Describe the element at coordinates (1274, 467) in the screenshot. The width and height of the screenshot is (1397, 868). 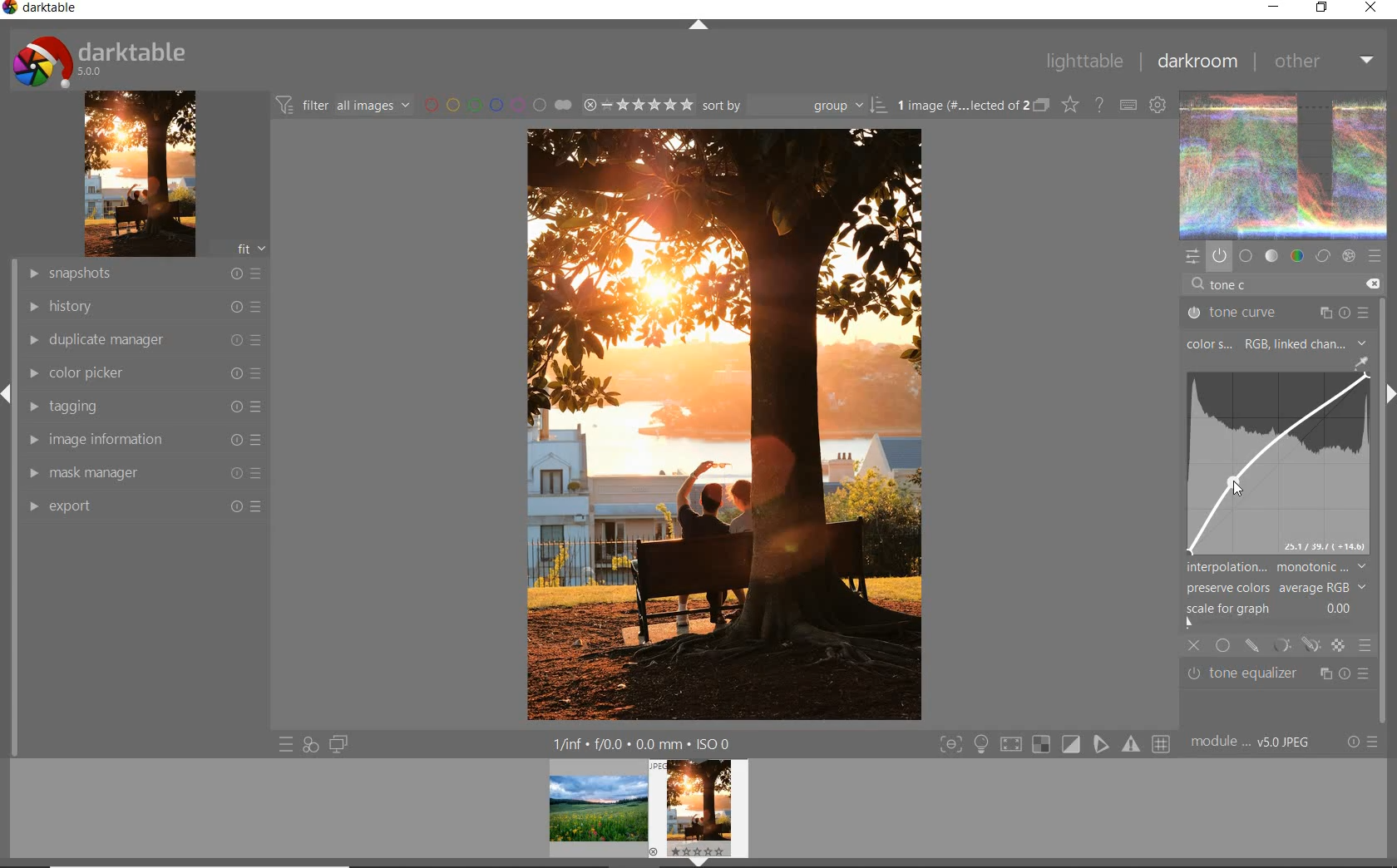
I see `image` at that location.